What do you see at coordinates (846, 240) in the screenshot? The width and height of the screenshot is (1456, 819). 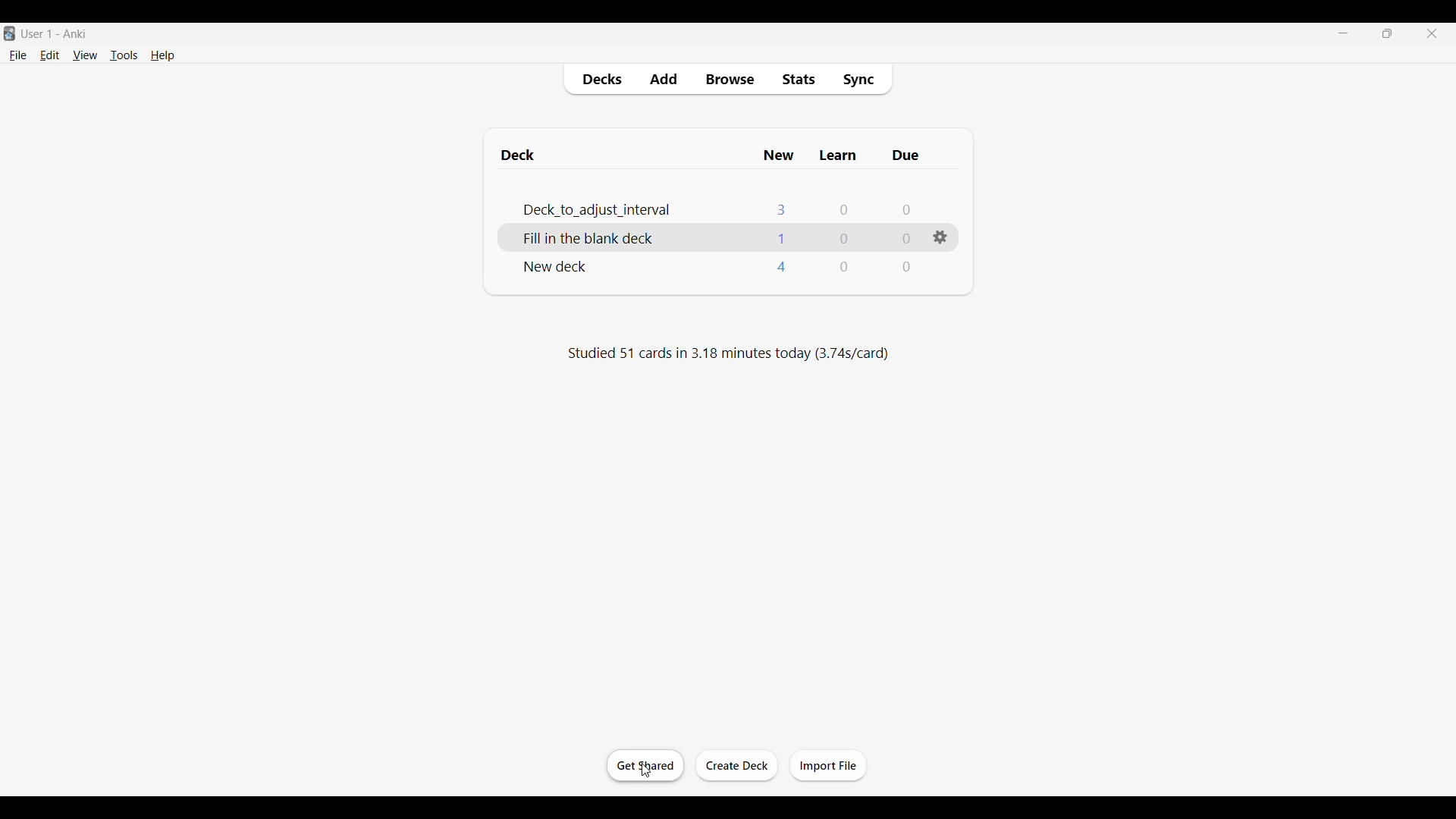 I see `0` at bounding box center [846, 240].